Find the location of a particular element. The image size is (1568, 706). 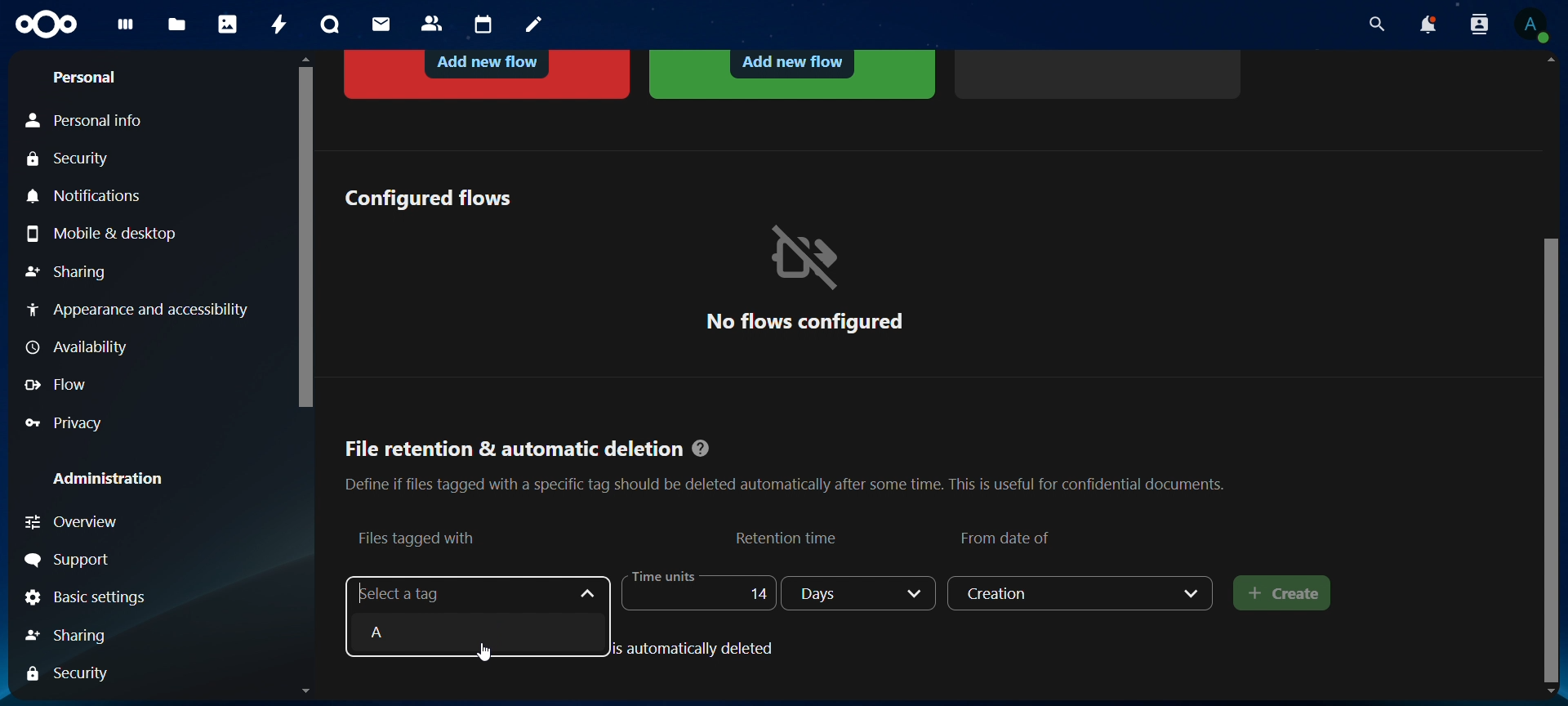

files tagged with is located at coordinates (418, 537).